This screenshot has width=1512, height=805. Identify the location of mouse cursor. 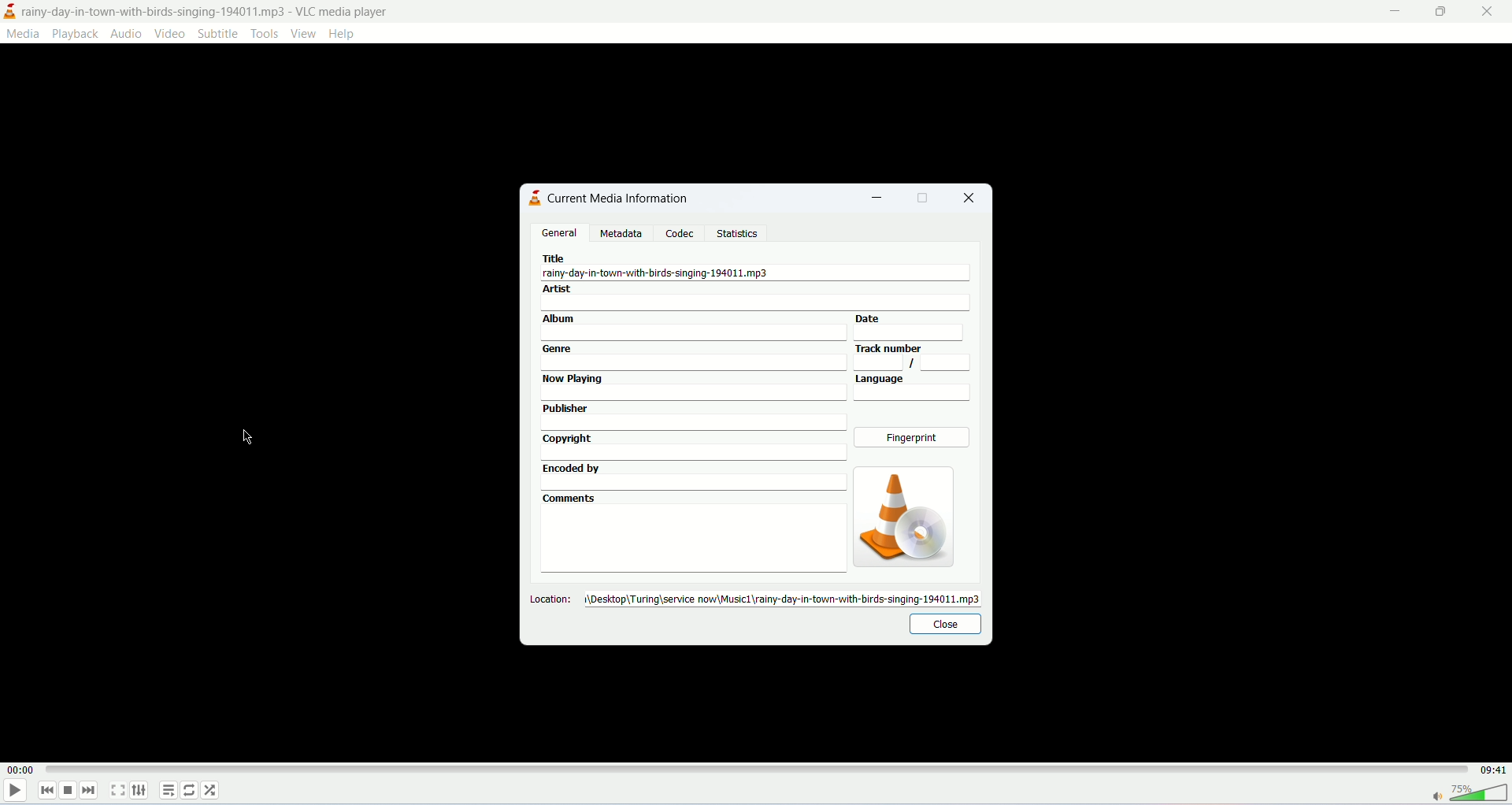
(247, 435).